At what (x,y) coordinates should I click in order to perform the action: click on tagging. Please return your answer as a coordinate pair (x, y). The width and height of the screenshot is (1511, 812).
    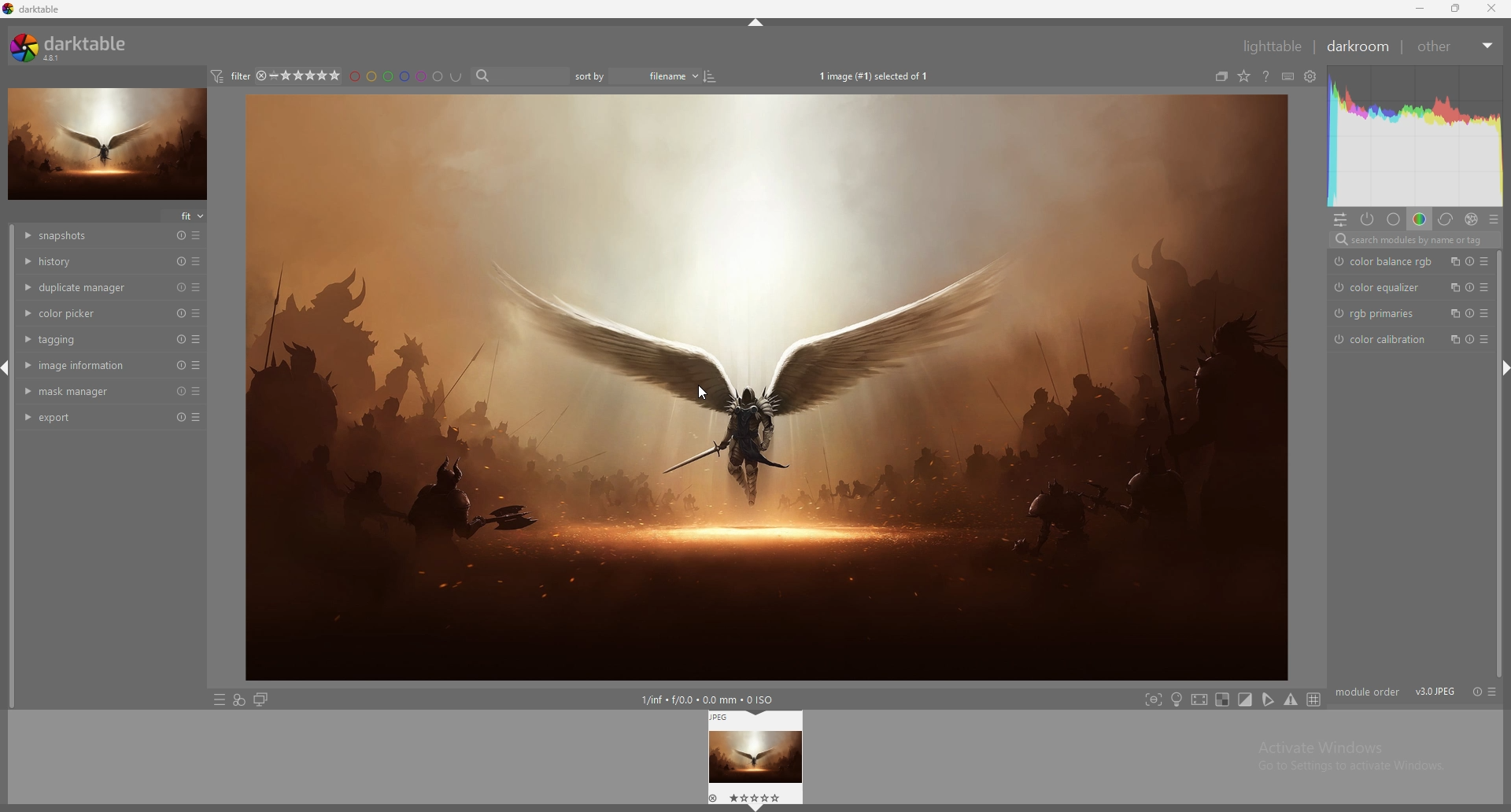
    Looking at the image, I should click on (87, 339).